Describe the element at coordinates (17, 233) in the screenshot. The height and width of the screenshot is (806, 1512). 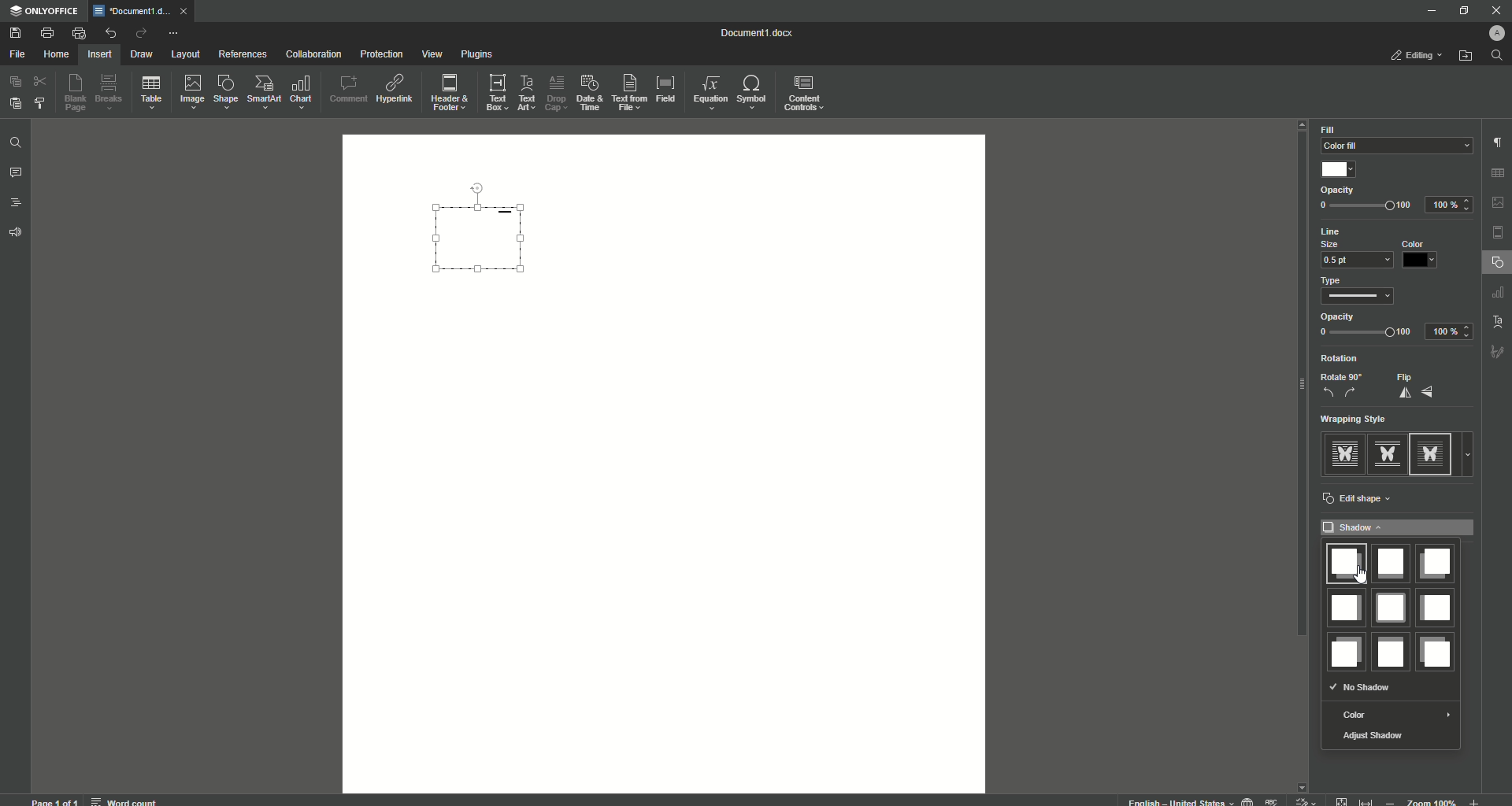
I see `Feedback` at that location.